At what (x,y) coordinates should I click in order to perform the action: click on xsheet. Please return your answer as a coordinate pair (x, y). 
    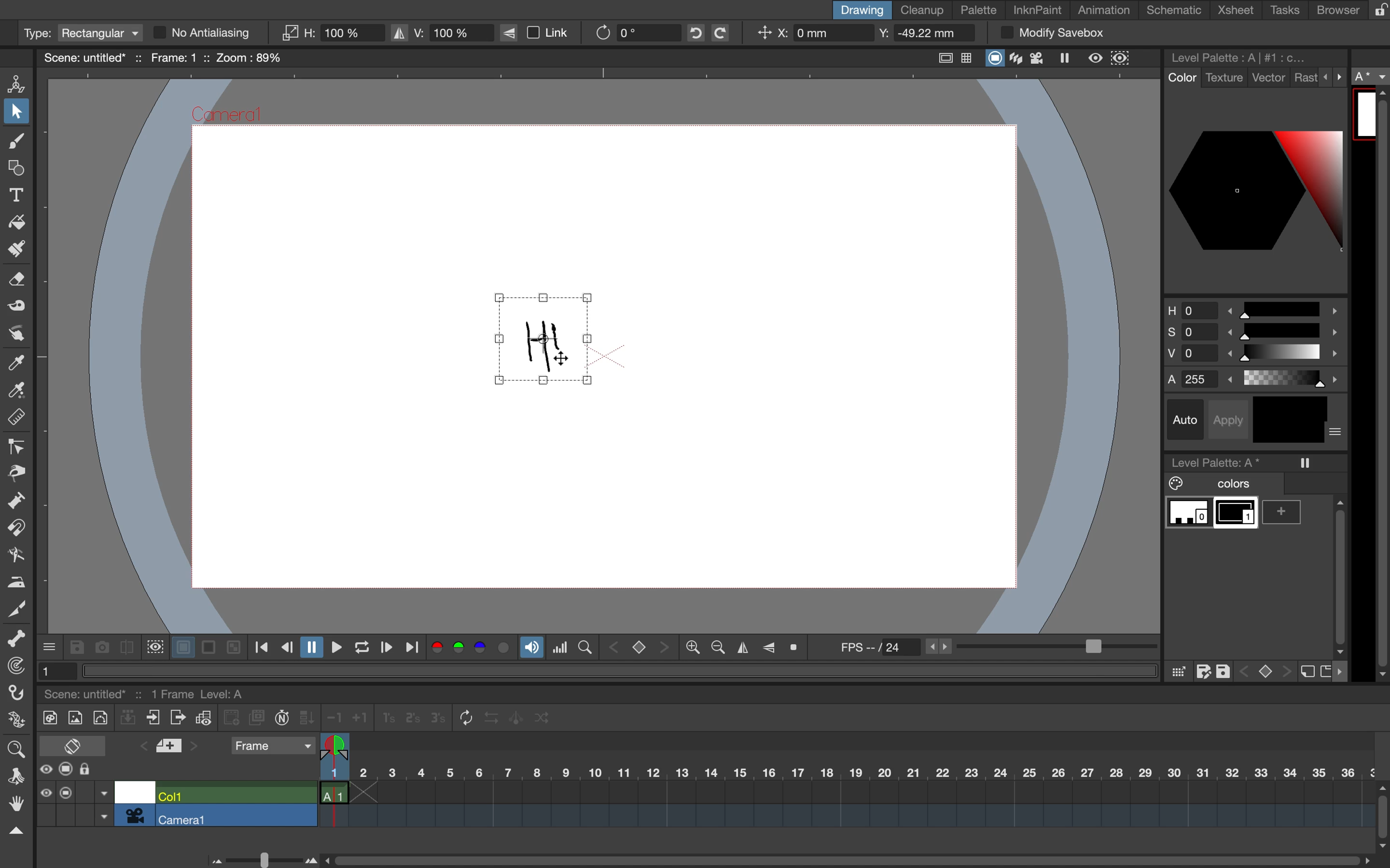
    Looking at the image, I should click on (1238, 11).